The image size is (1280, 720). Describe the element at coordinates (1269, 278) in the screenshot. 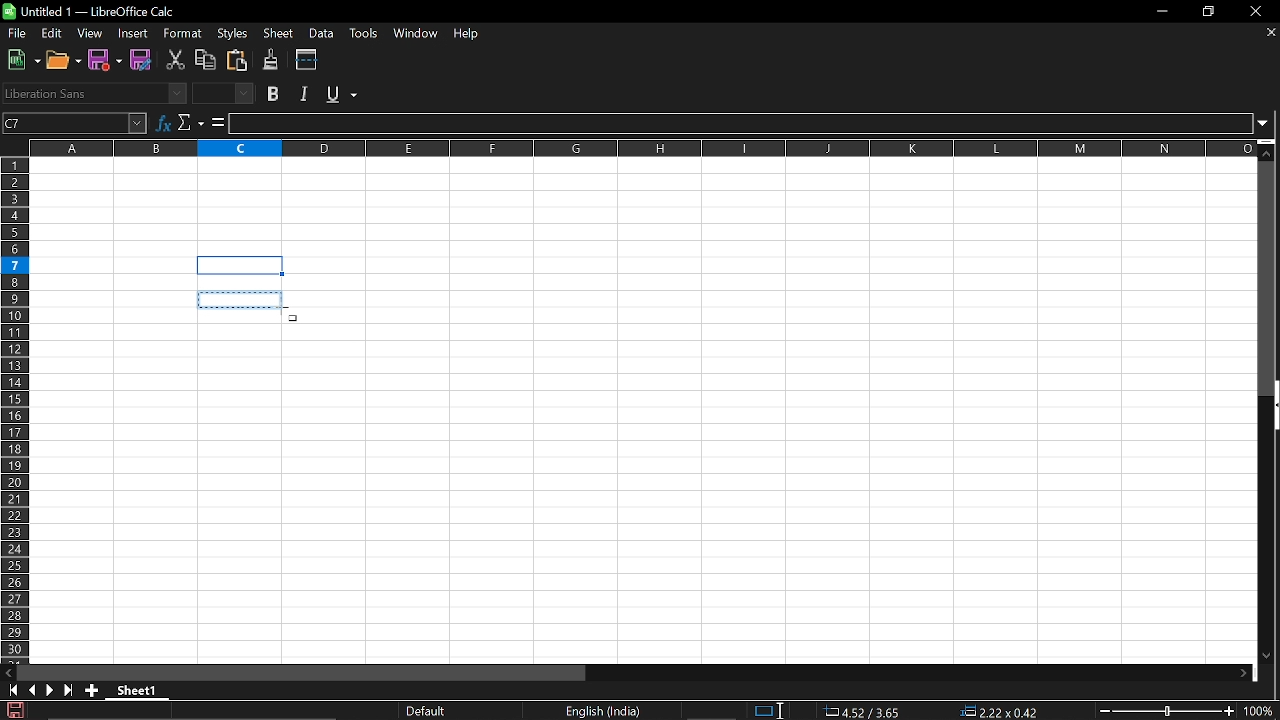

I see `Vertical scrollbar` at that location.